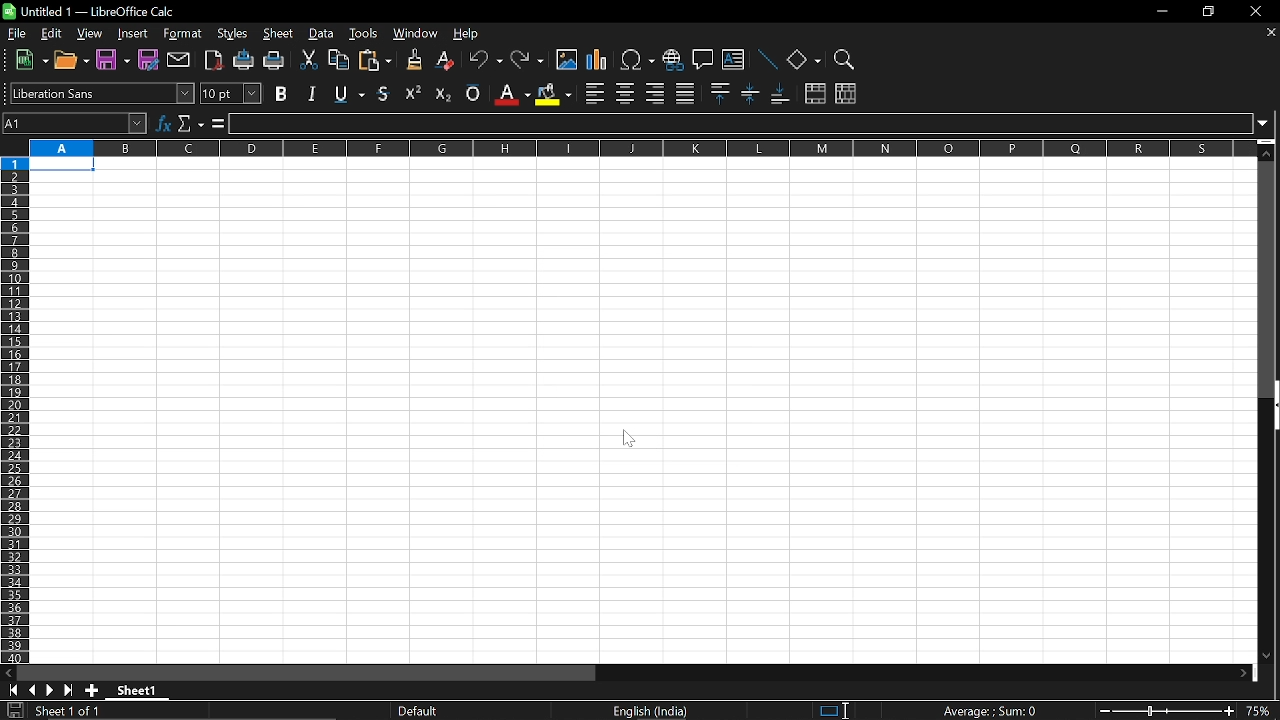 This screenshot has width=1280, height=720. What do you see at coordinates (446, 61) in the screenshot?
I see `eraser` at bounding box center [446, 61].